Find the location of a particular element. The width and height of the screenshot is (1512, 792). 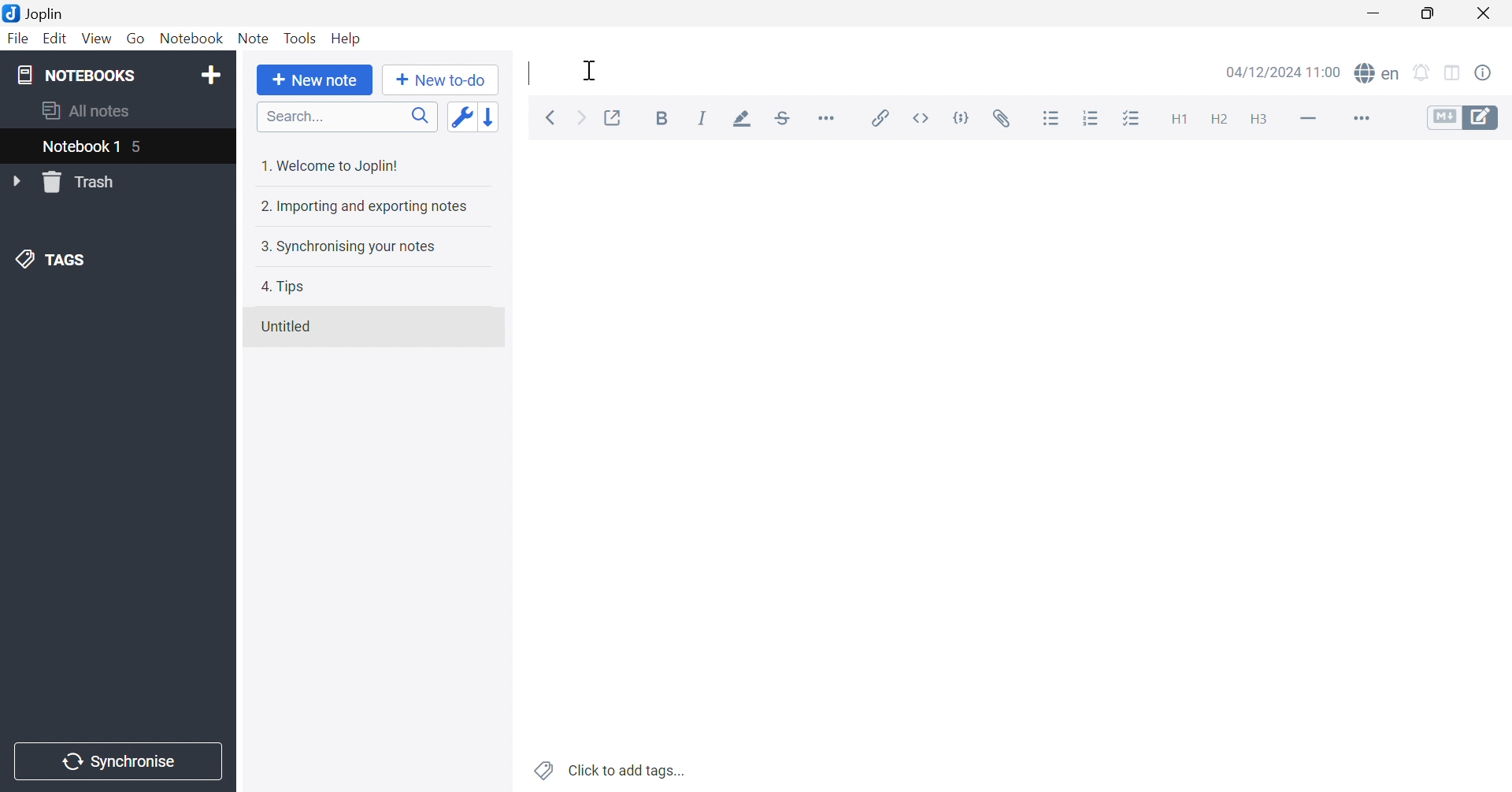

Synchronise is located at coordinates (120, 762).